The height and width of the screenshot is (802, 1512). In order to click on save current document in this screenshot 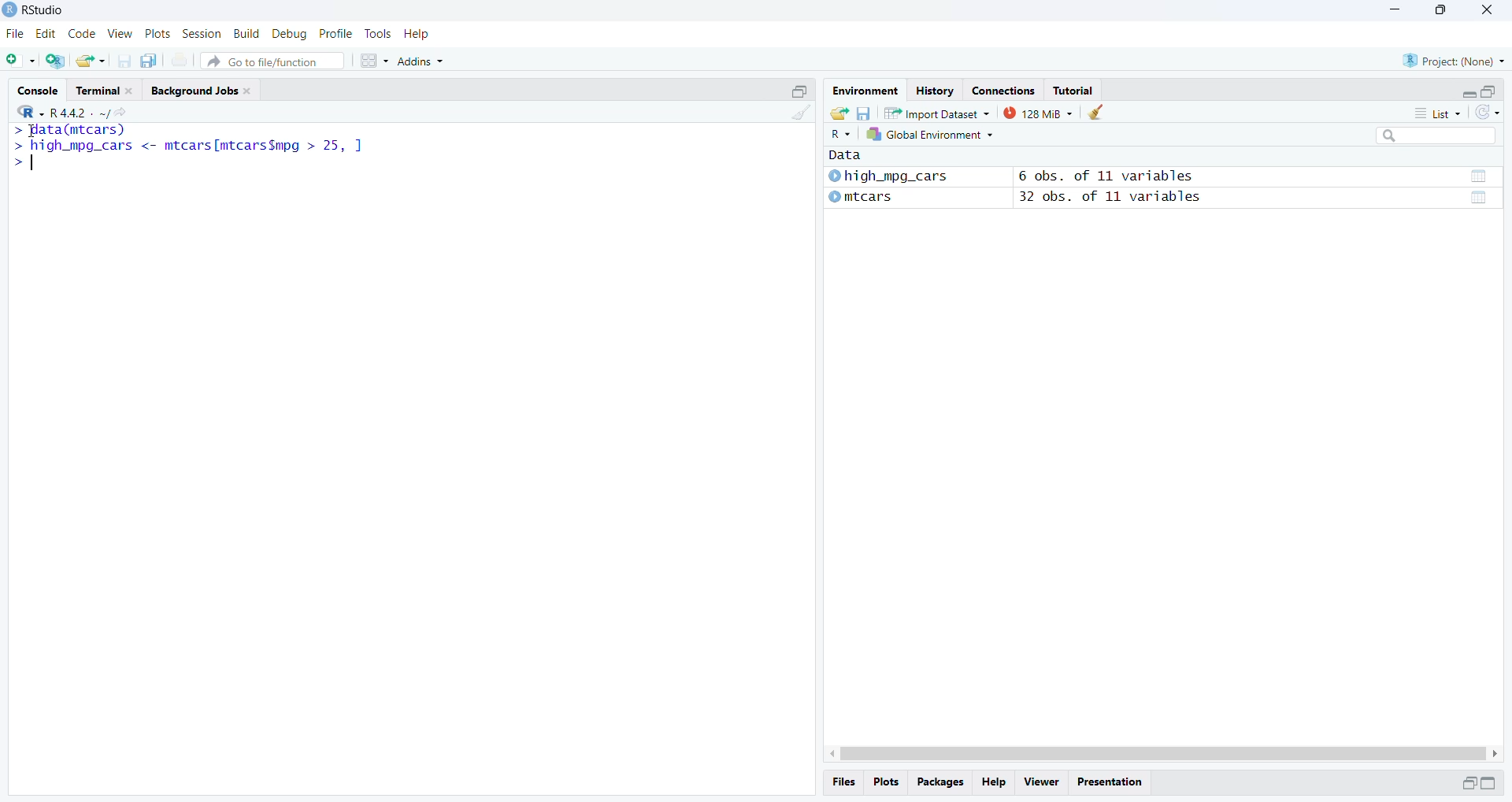, I will do `click(124, 60)`.